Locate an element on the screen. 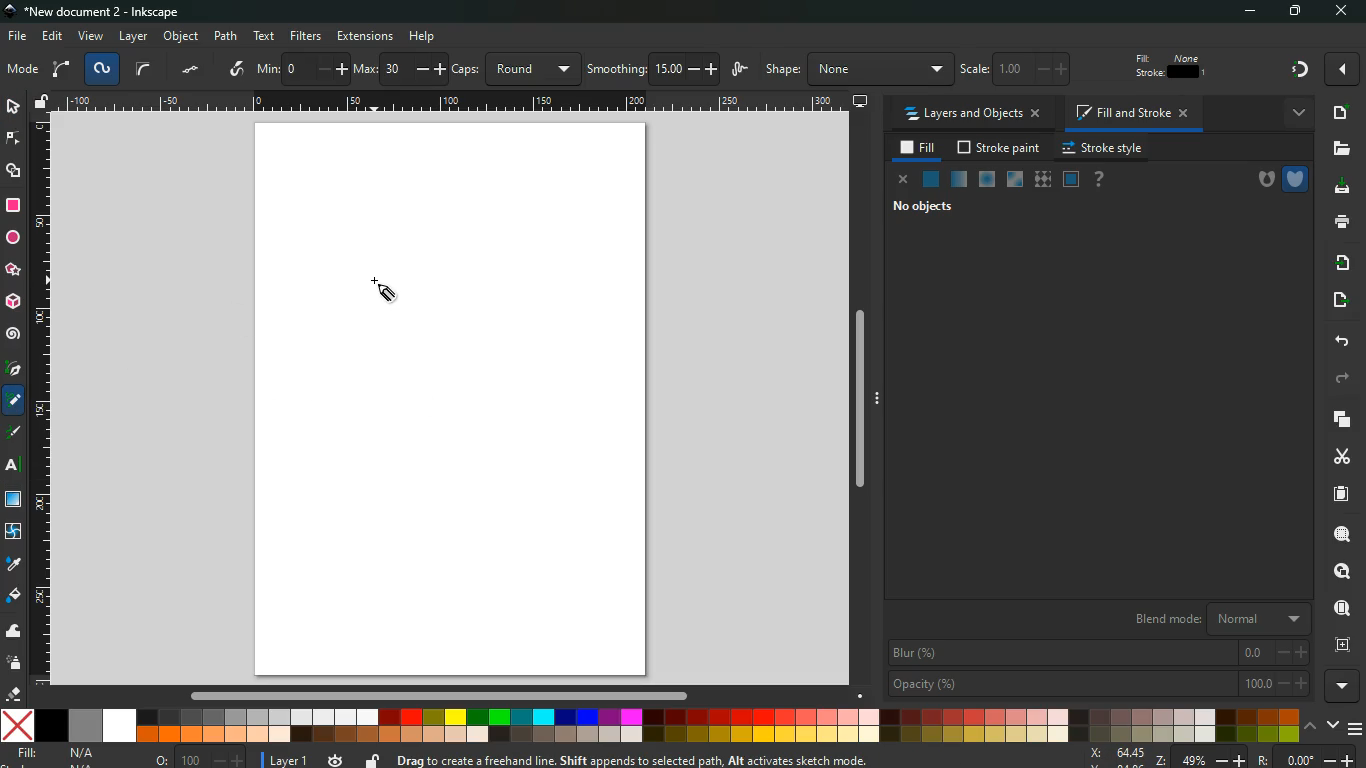 The image size is (1366, 768). Cursor is located at coordinates (383, 290).